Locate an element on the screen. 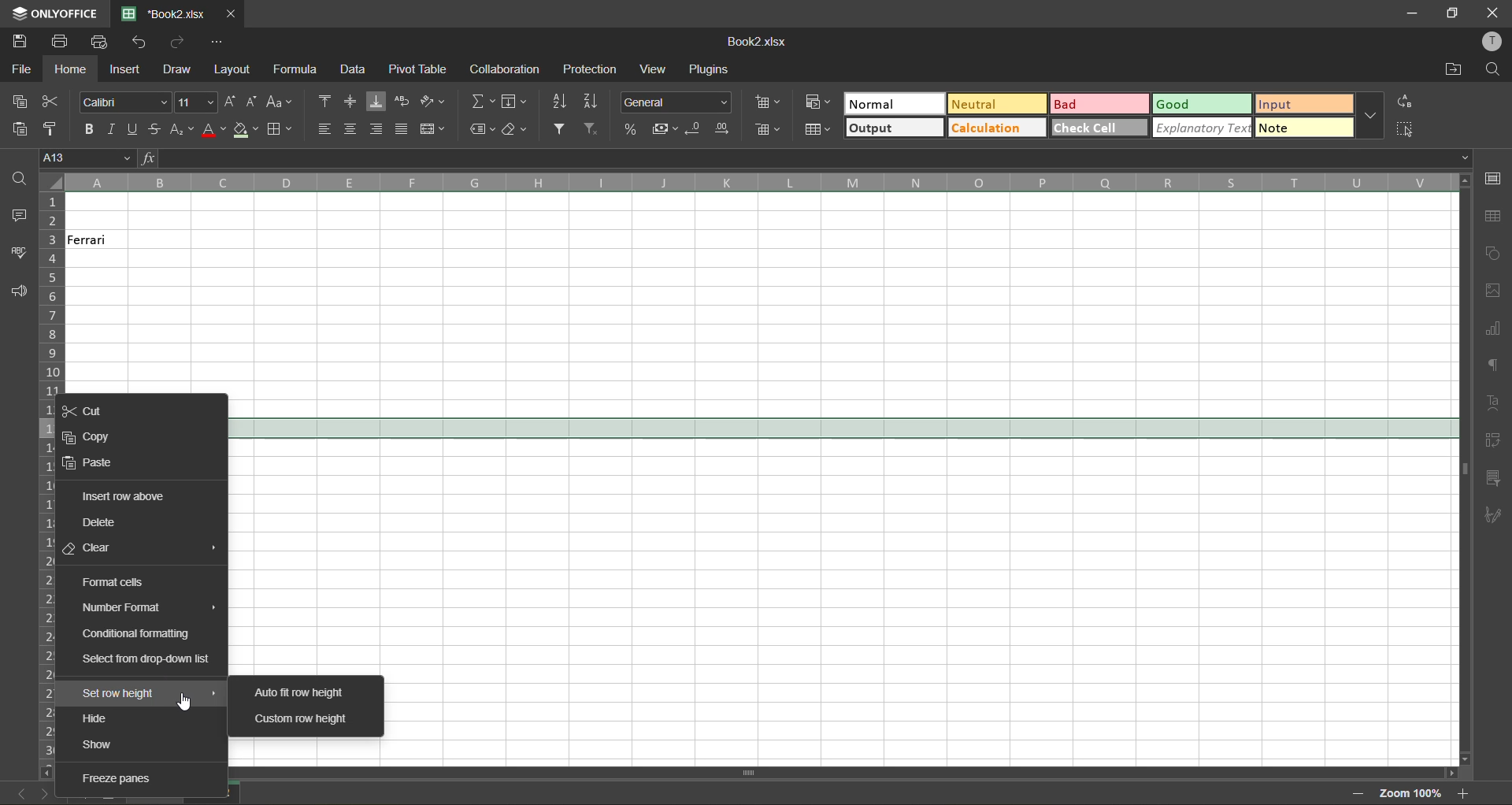 The image size is (1512, 805). conditional formatting is located at coordinates (139, 635).